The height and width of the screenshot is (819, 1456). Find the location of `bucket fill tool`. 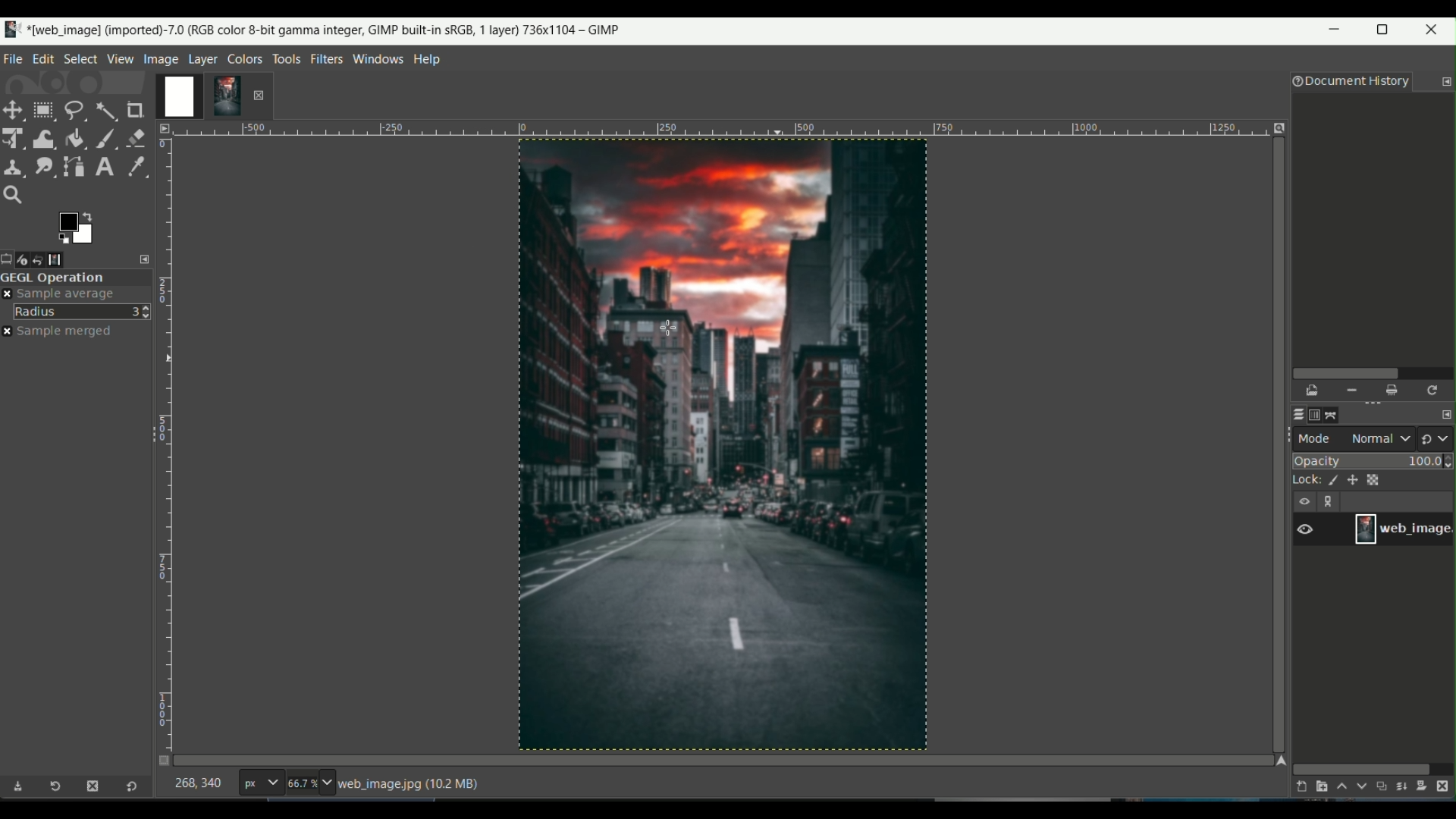

bucket fill tool is located at coordinates (75, 137).